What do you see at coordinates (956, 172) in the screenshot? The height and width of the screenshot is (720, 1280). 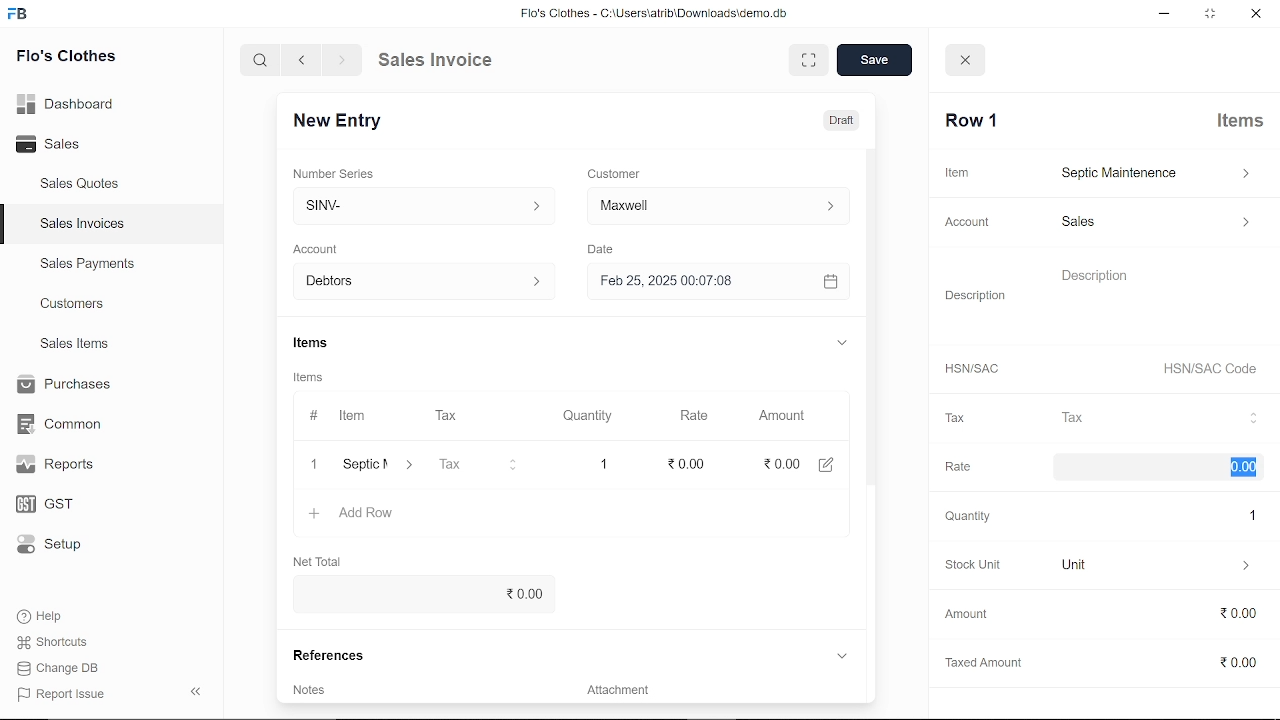 I see `Item` at bounding box center [956, 172].